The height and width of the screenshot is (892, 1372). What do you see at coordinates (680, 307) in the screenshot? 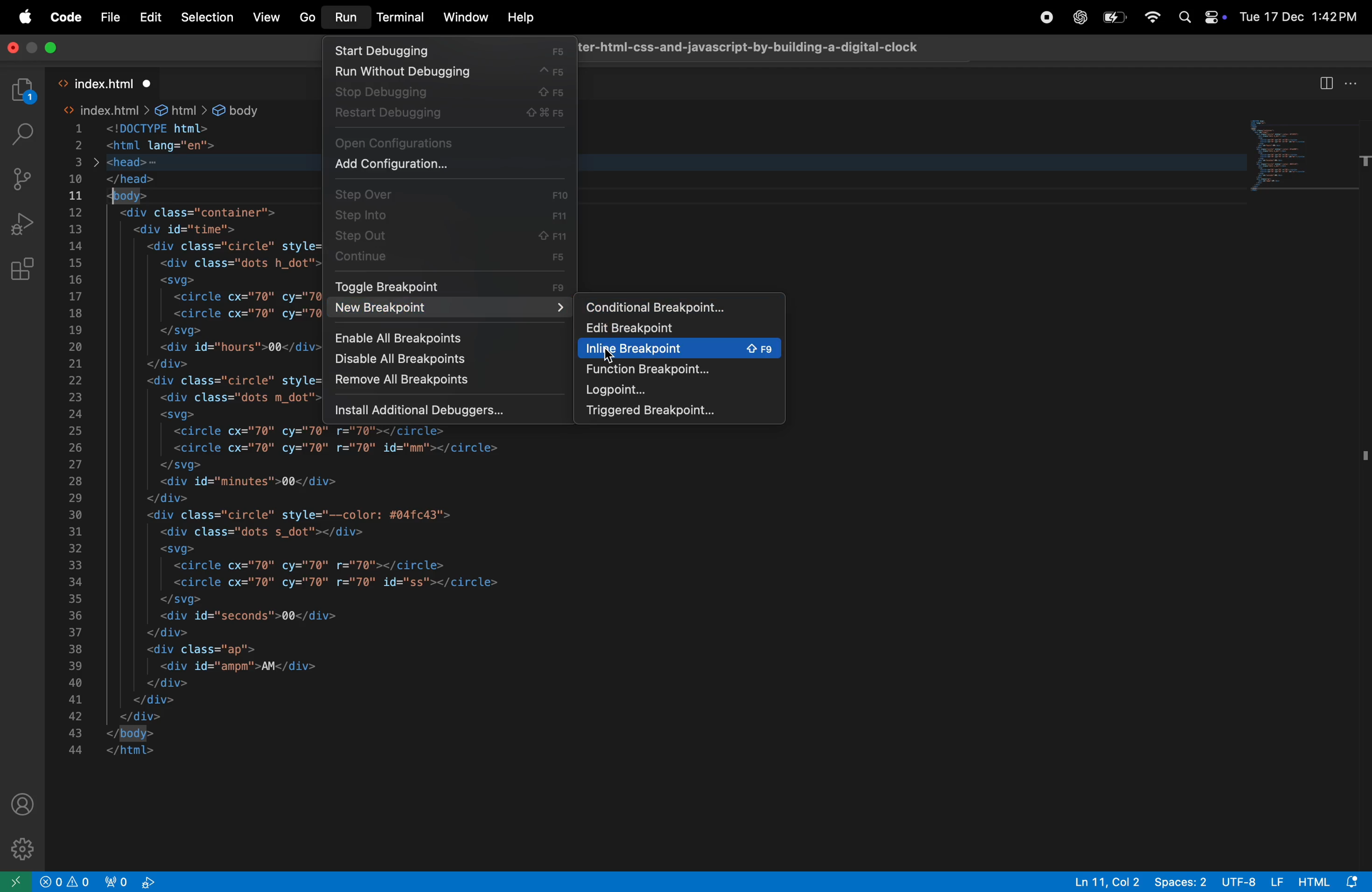
I see `conditional break point` at bounding box center [680, 307].